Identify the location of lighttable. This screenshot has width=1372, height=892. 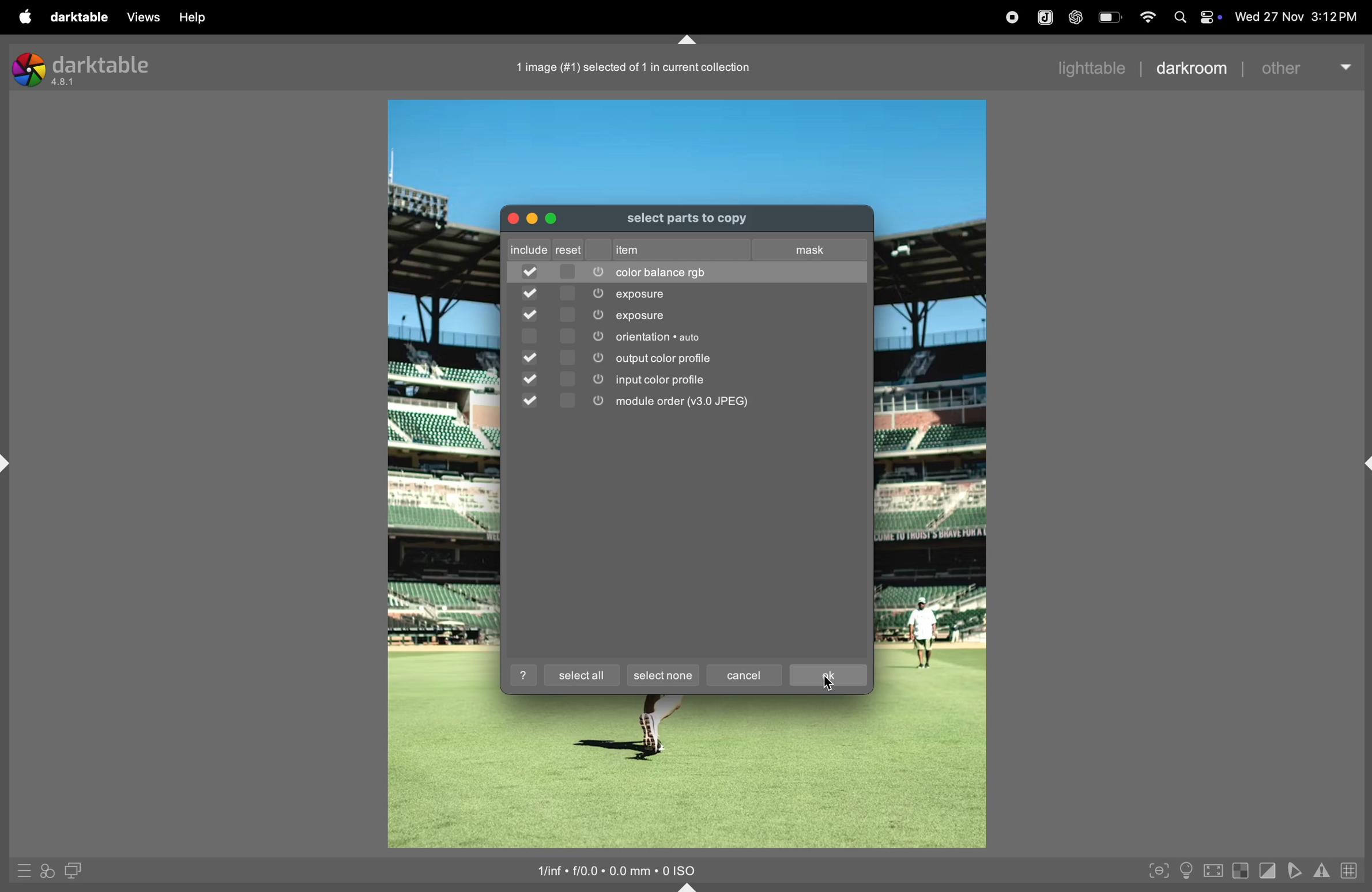
(1088, 67).